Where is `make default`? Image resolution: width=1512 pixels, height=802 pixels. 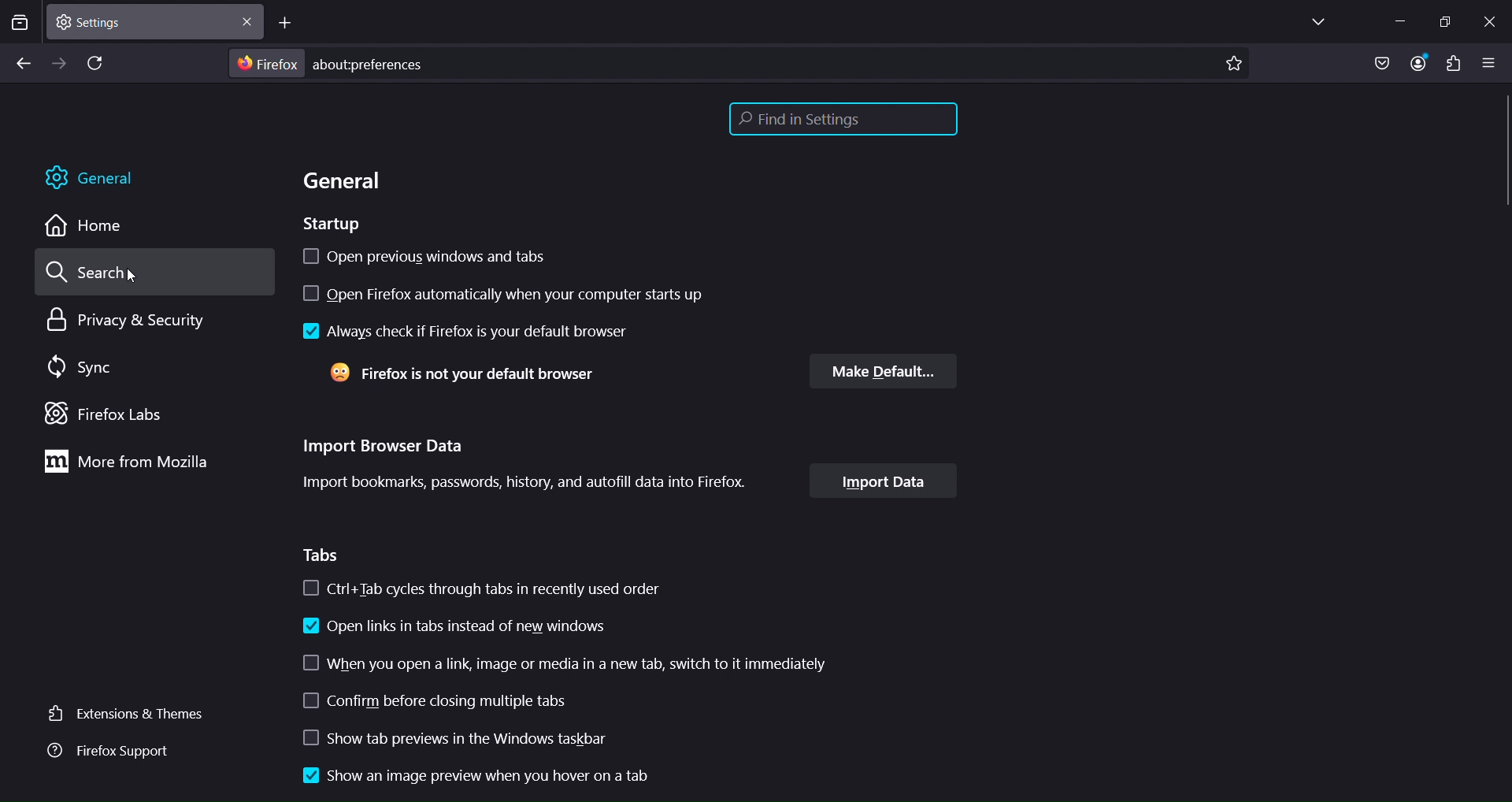
make default is located at coordinates (882, 371).